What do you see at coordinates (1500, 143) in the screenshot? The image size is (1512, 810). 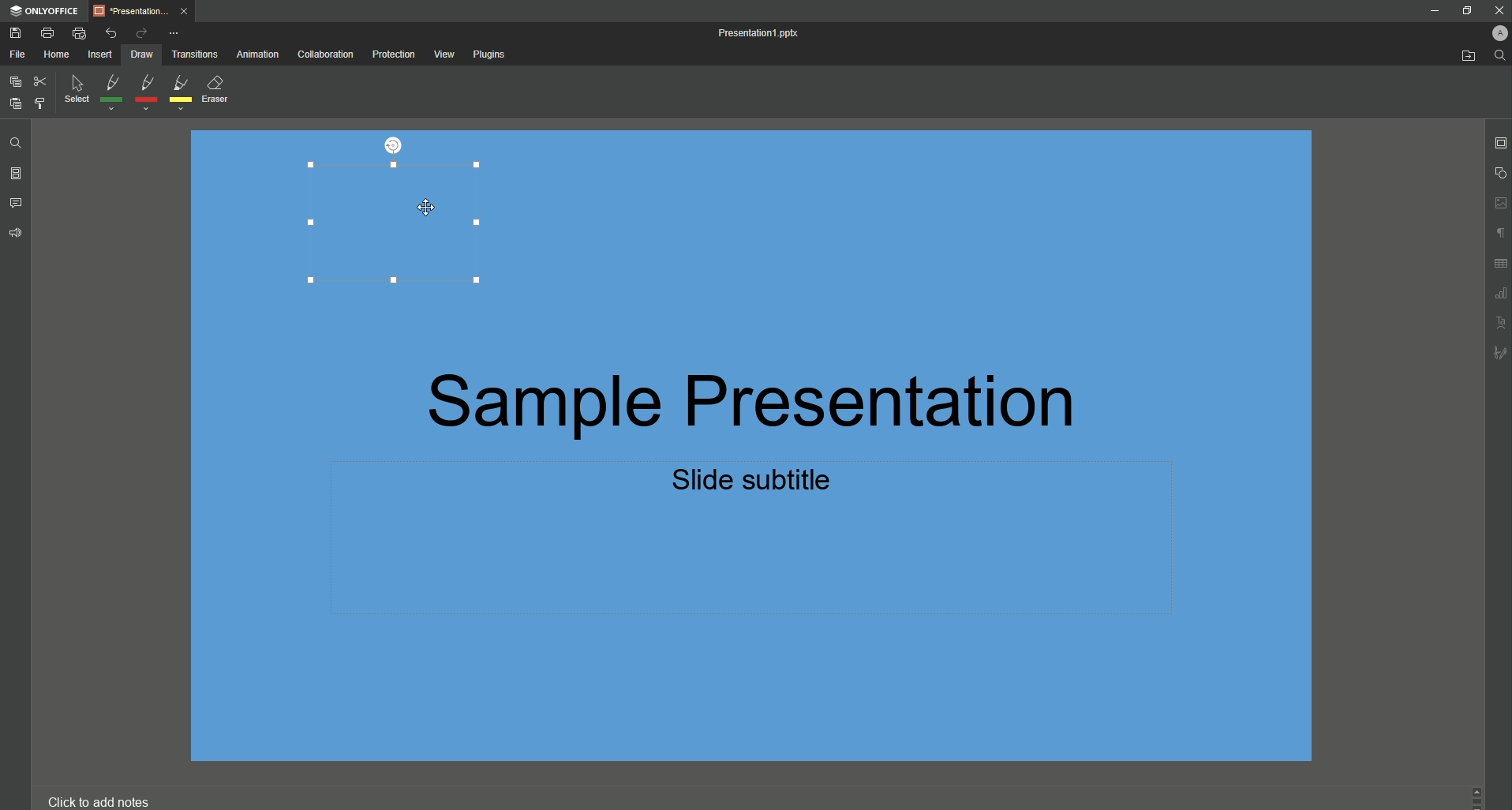 I see `Slide Settings` at bounding box center [1500, 143].